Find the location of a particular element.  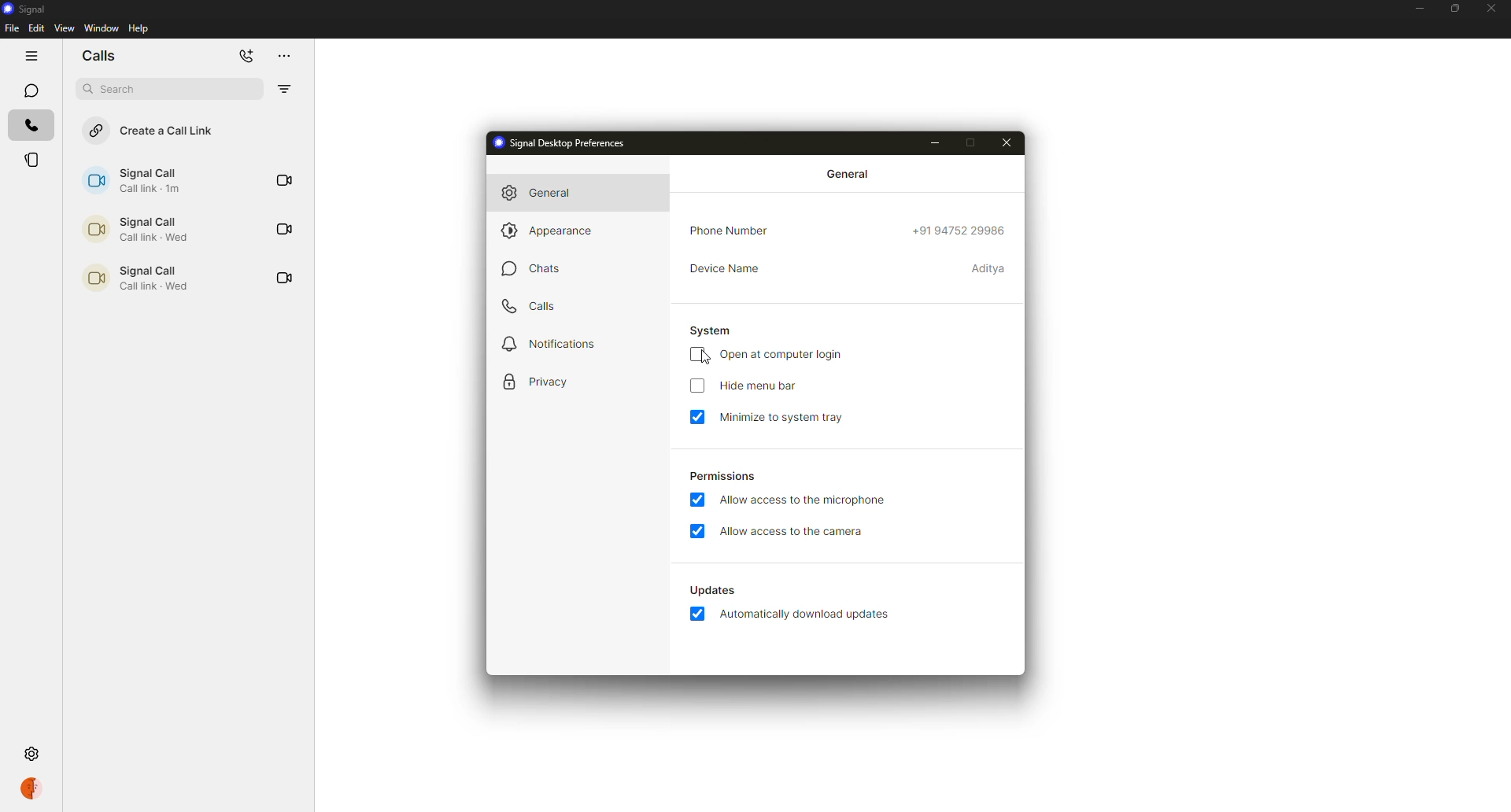

search is located at coordinates (116, 89).